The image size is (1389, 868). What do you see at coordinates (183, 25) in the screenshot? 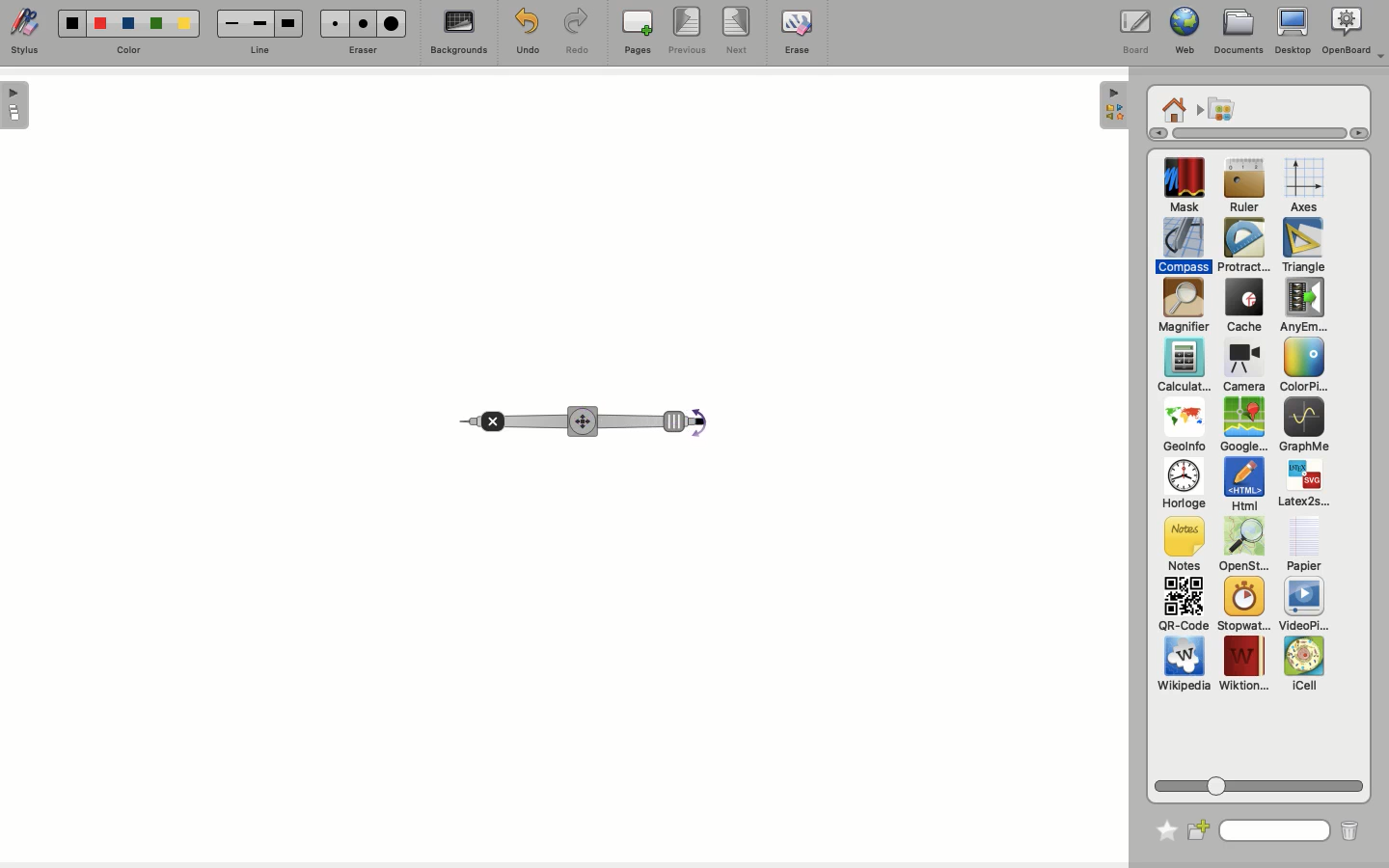
I see `color5` at bounding box center [183, 25].